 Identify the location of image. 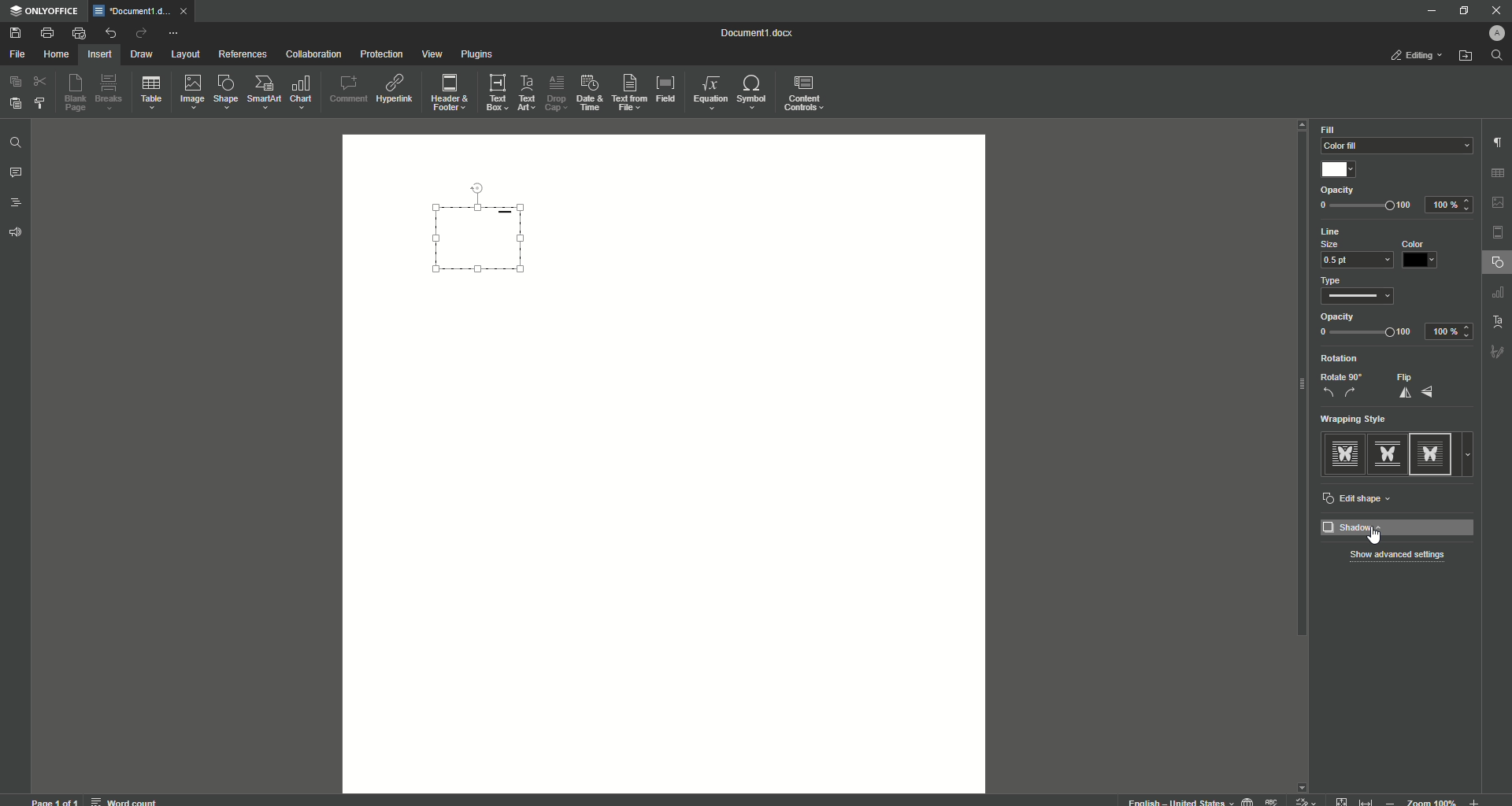
(1499, 202).